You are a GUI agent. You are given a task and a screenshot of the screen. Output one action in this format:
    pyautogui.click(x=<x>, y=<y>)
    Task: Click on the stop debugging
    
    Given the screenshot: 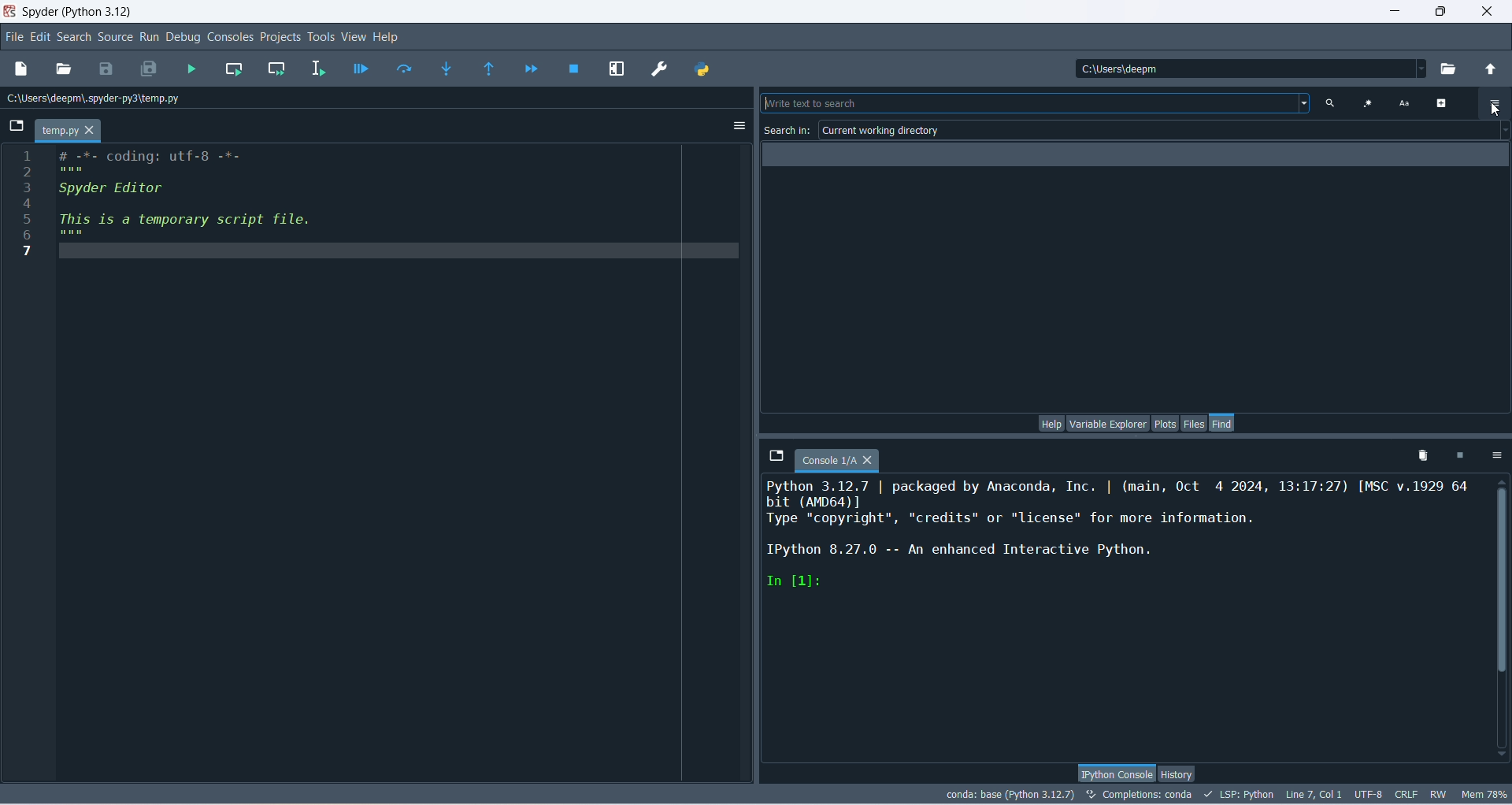 What is the action you would take?
    pyautogui.click(x=576, y=69)
    